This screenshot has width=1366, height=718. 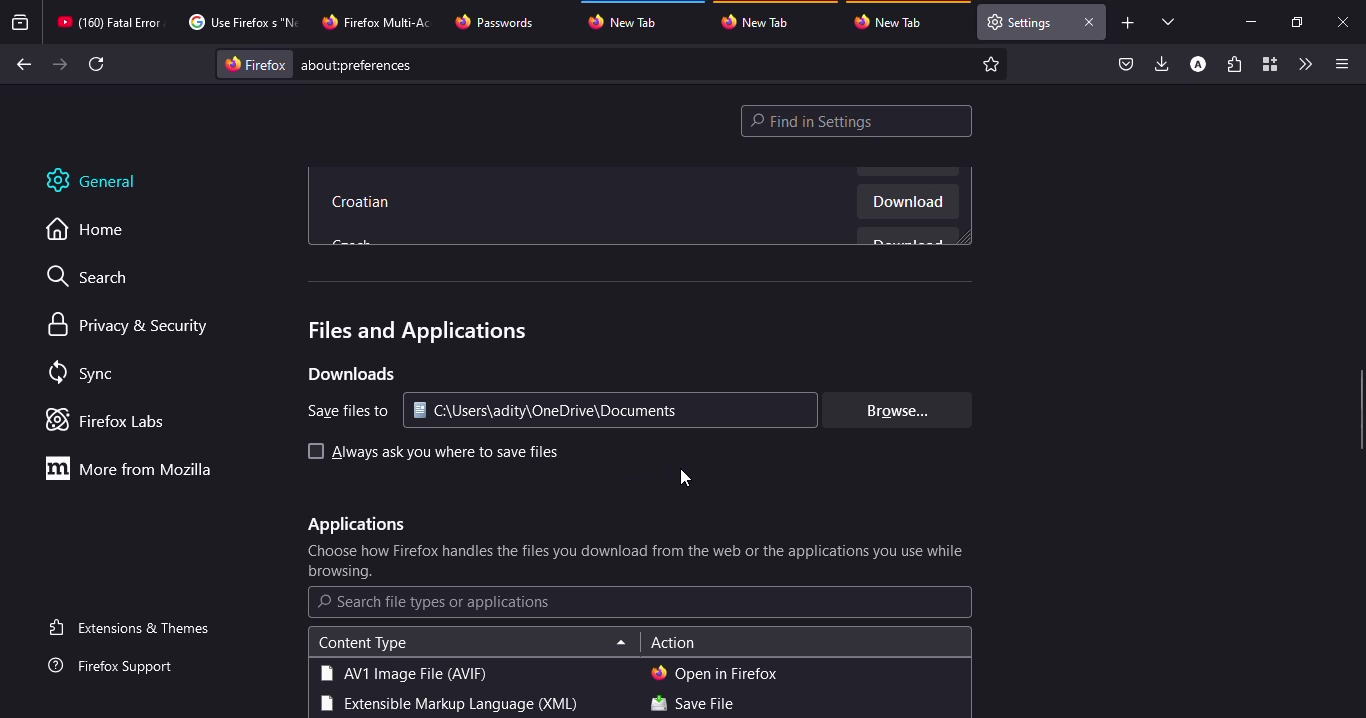 I want to click on download folder changed, so click(x=563, y=411).